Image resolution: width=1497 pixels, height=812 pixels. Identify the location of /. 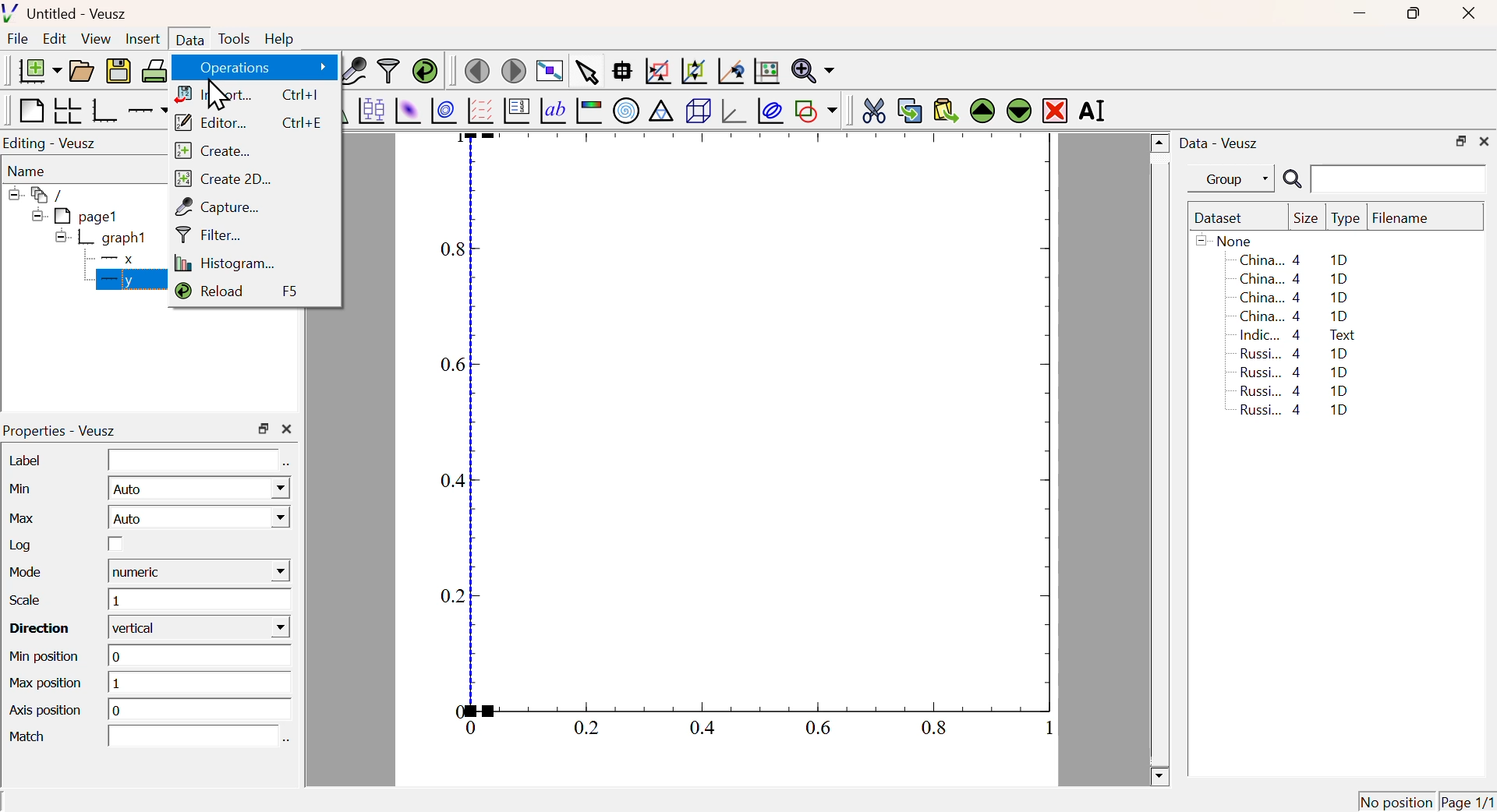
(39, 195).